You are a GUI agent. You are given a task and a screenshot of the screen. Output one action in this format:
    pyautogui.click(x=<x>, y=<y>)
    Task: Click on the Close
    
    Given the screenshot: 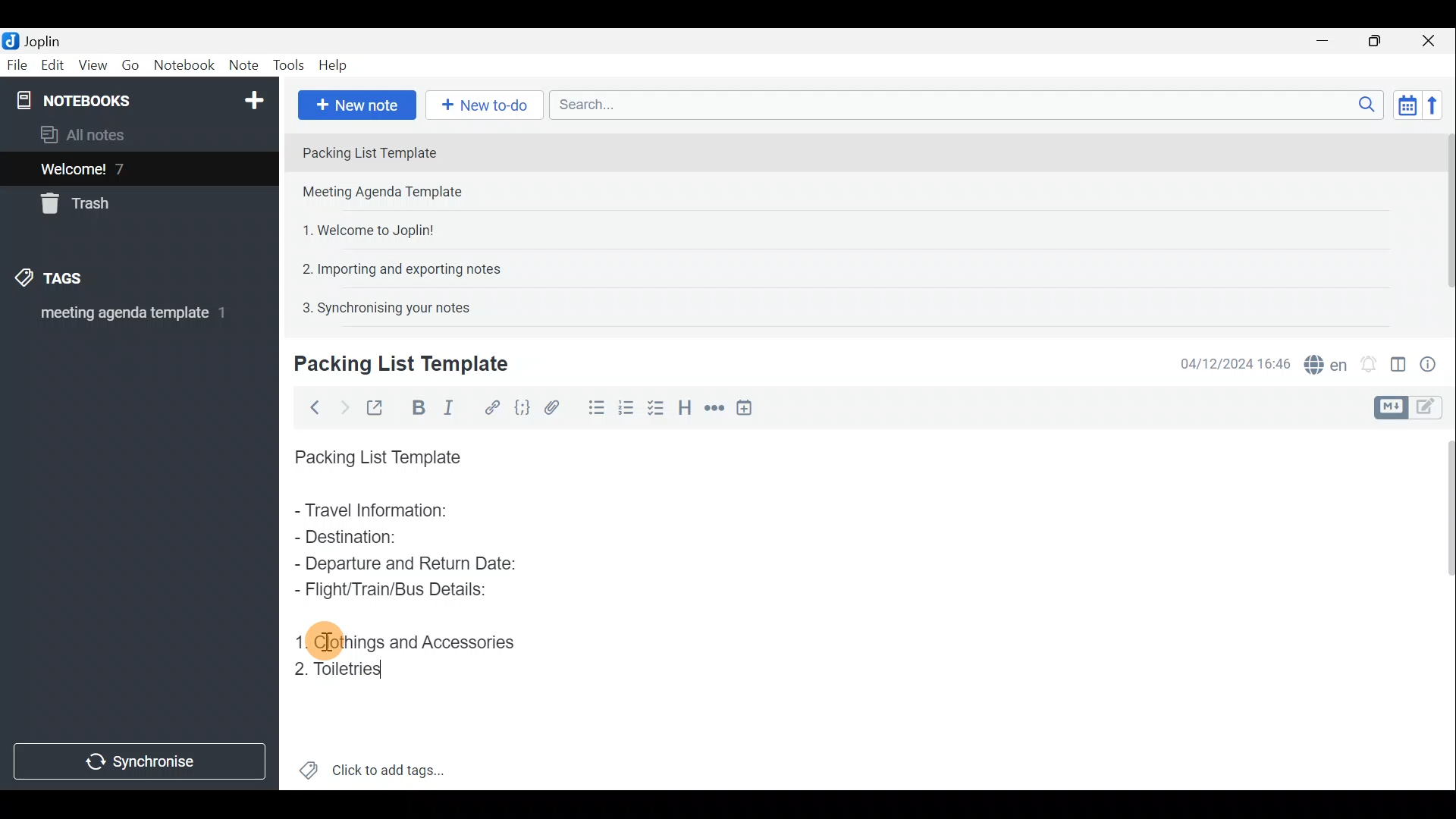 What is the action you would take?
    pyautogui.click(x=1433, y=40)
    